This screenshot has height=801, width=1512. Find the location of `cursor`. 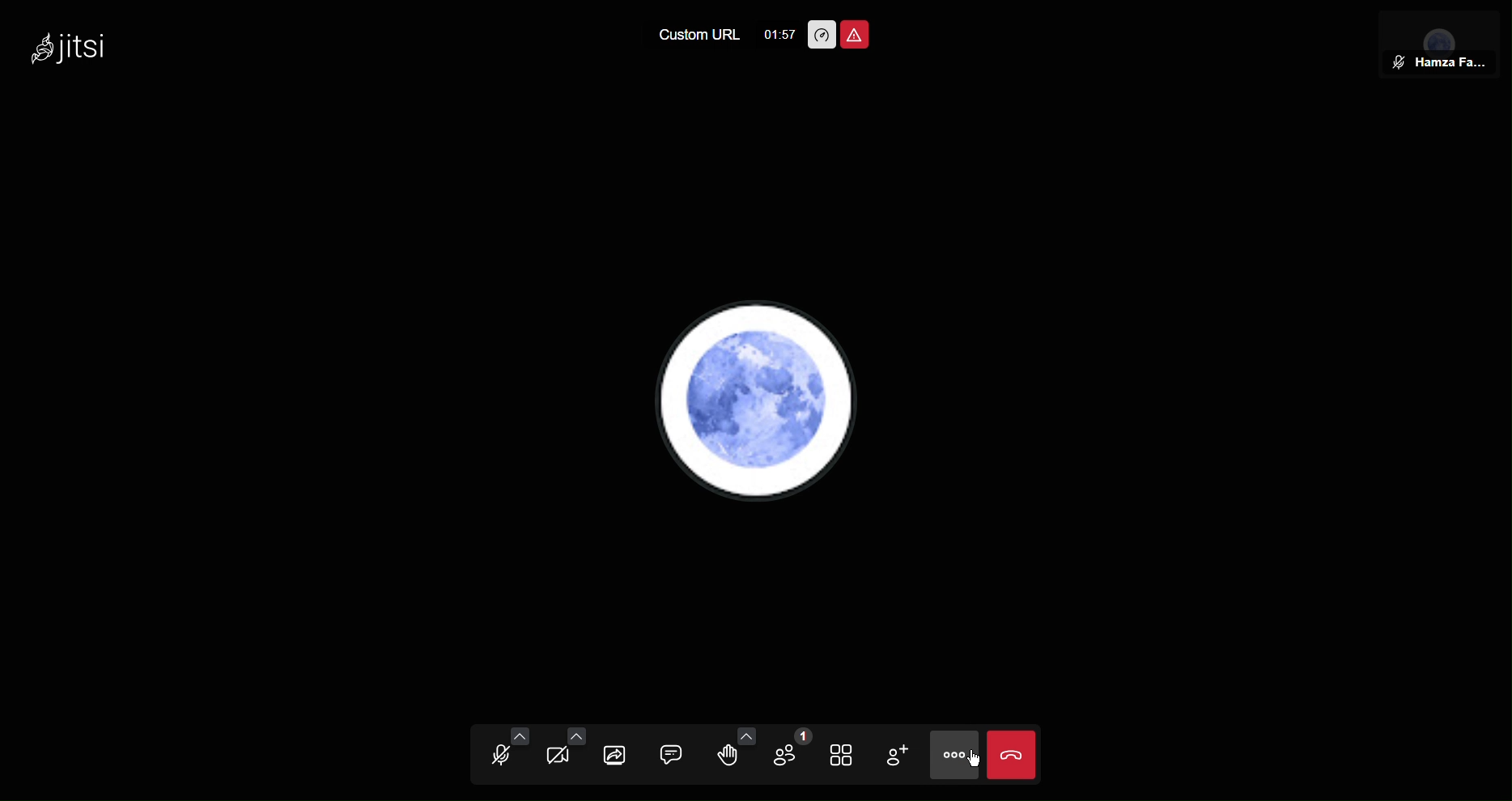

cursor is located at coordinates (975, 761).